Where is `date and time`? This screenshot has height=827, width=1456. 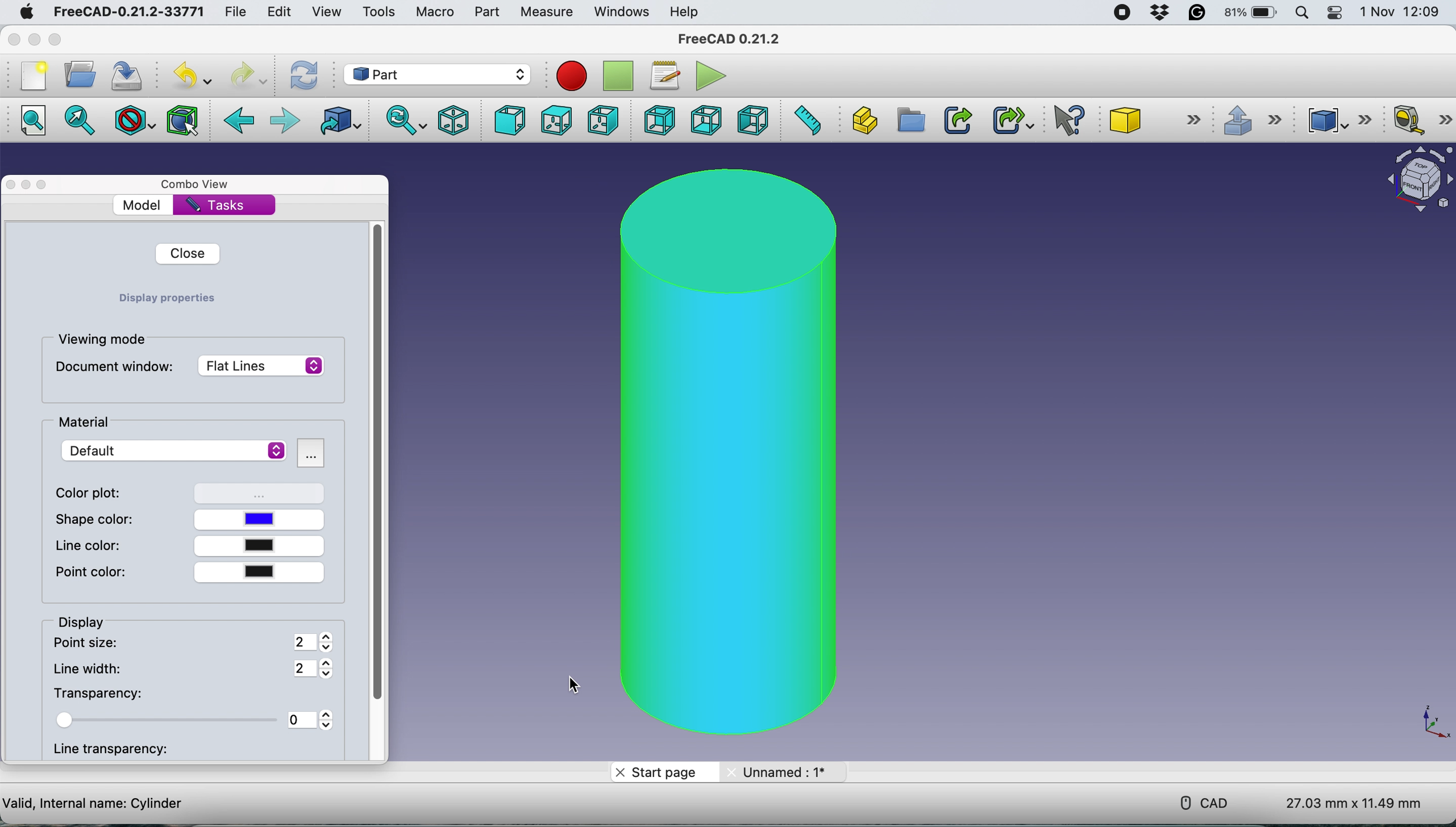 date and time is located at coordinates (1400, 12).